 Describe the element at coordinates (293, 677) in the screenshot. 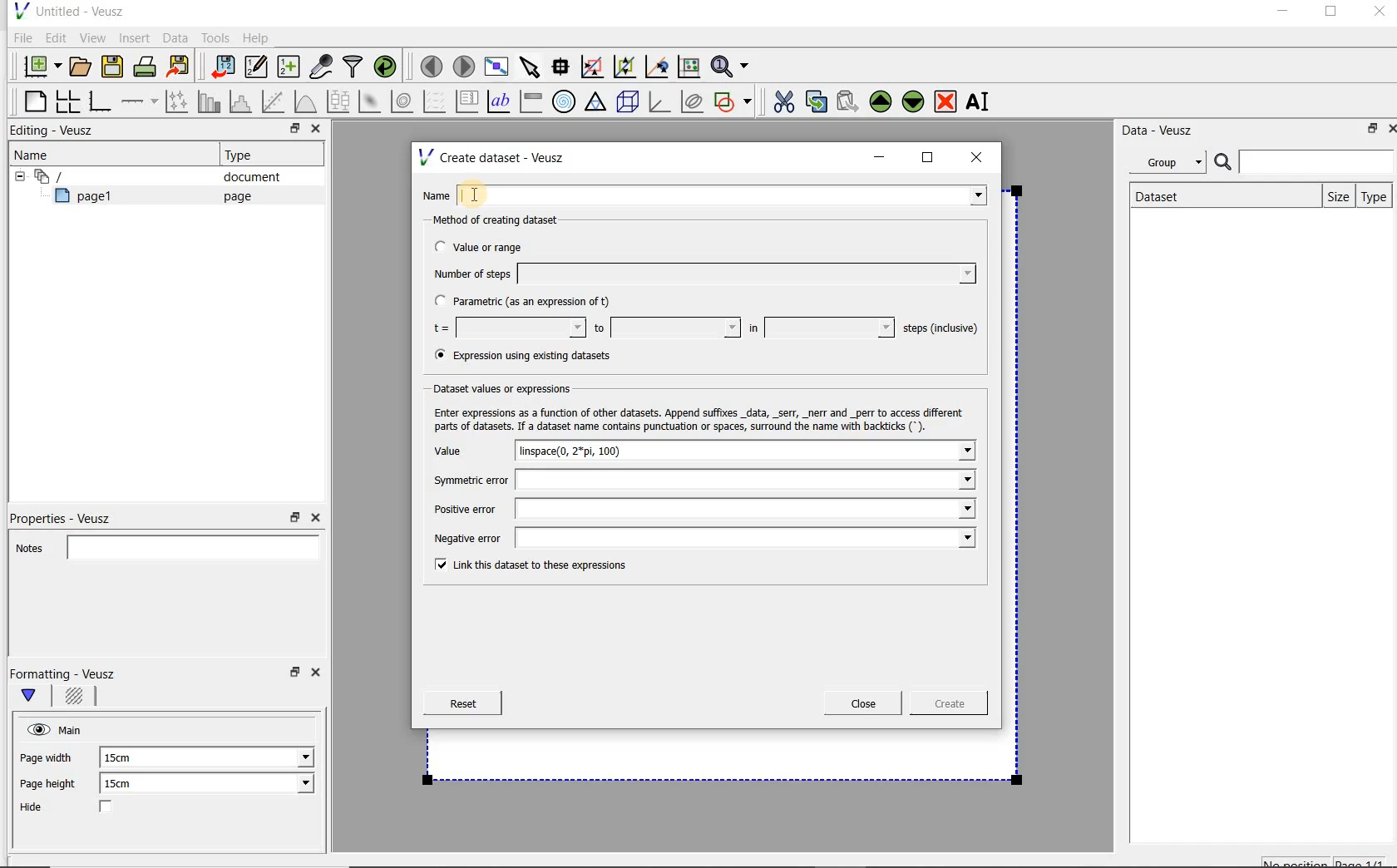

I see `restore down` at that location.